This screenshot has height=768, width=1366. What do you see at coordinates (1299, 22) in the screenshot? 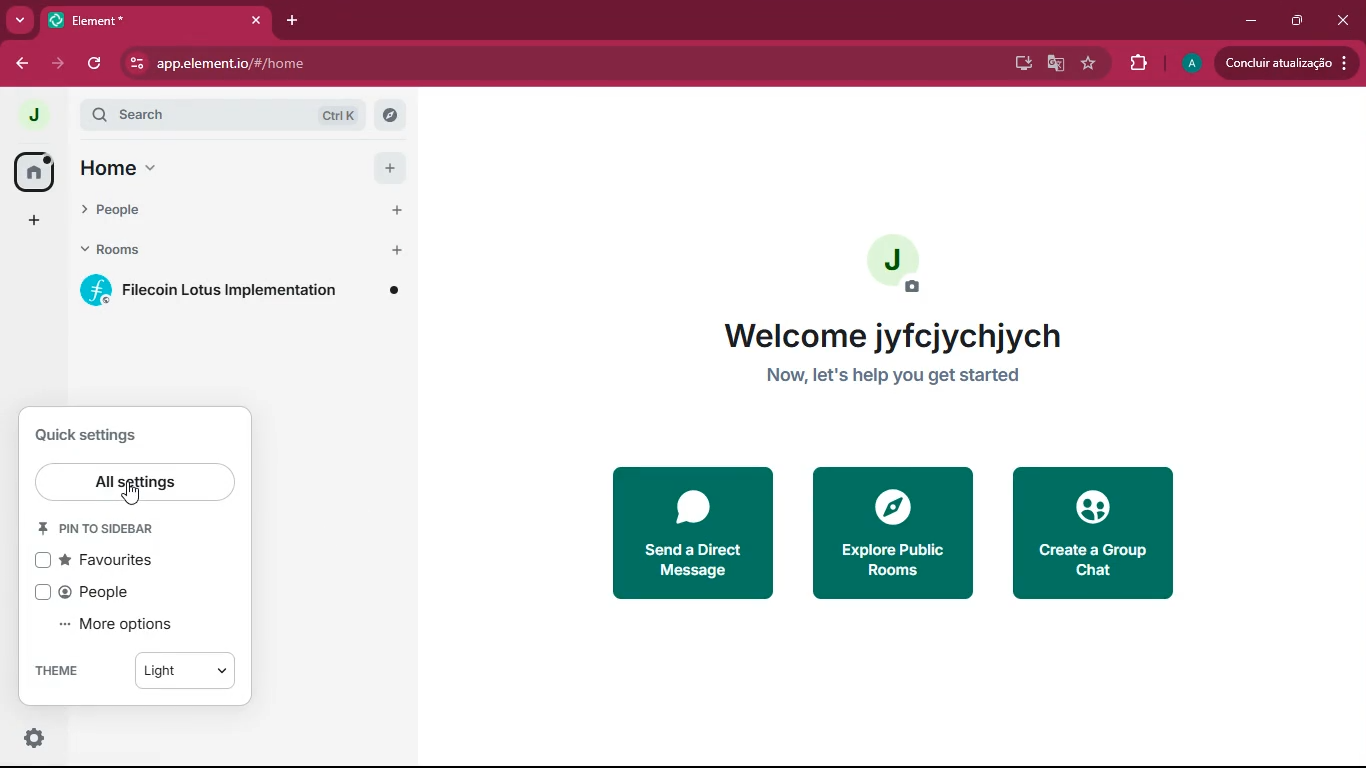
I see `maximize` at bounding box center [1299, 22].